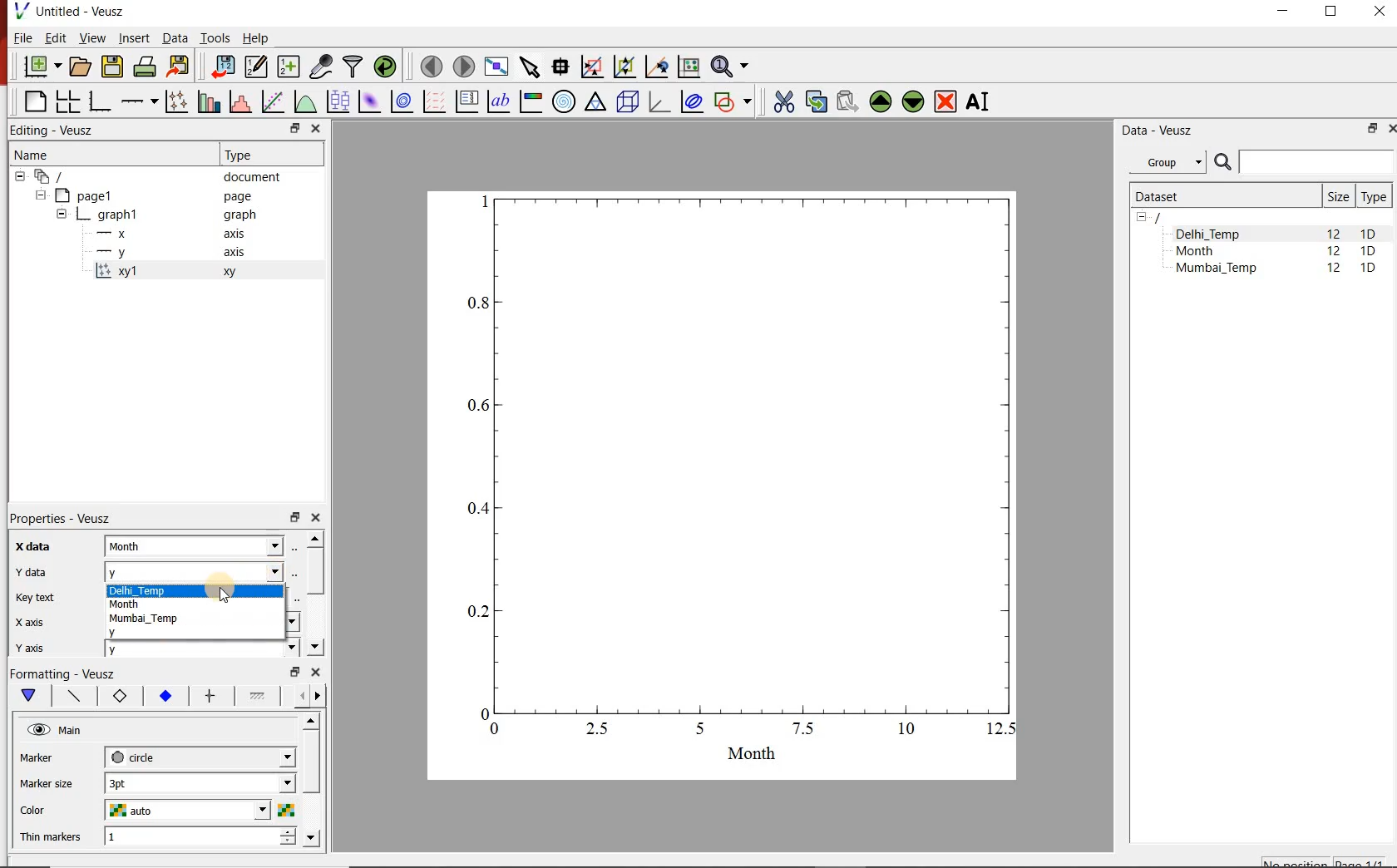 Image resolution: width=1397 pixels, height=868 pixels. What do you see at coordinates (1221, 196) in the screenshot?
I see `Dataset` at bounding box center [1221, 196].